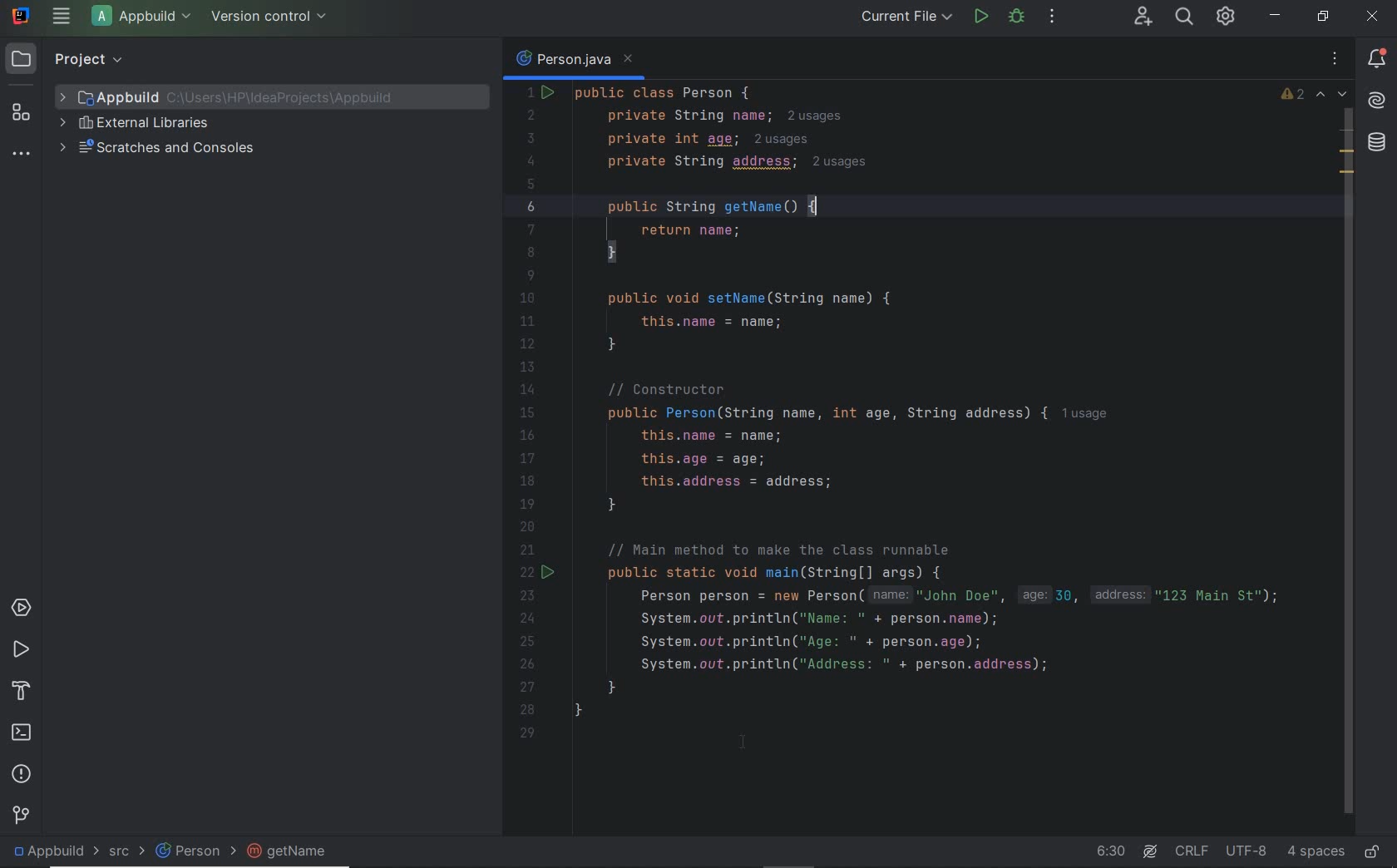 This screenshot has height=868, width=1397. Describe the element at coordinates (22, 814) in the screenshot. I see `version control` at that location.